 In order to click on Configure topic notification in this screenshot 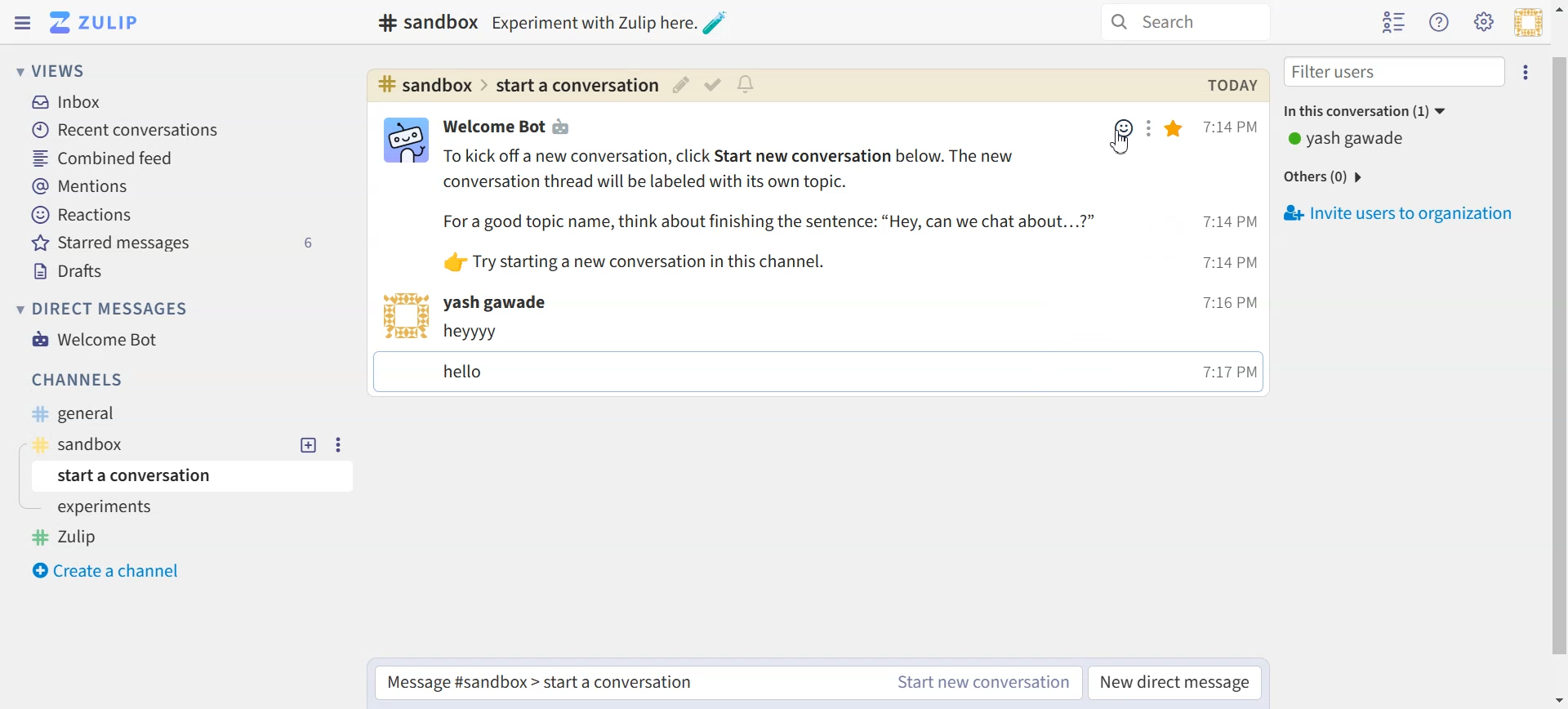, I will do `click(748, 84)`.